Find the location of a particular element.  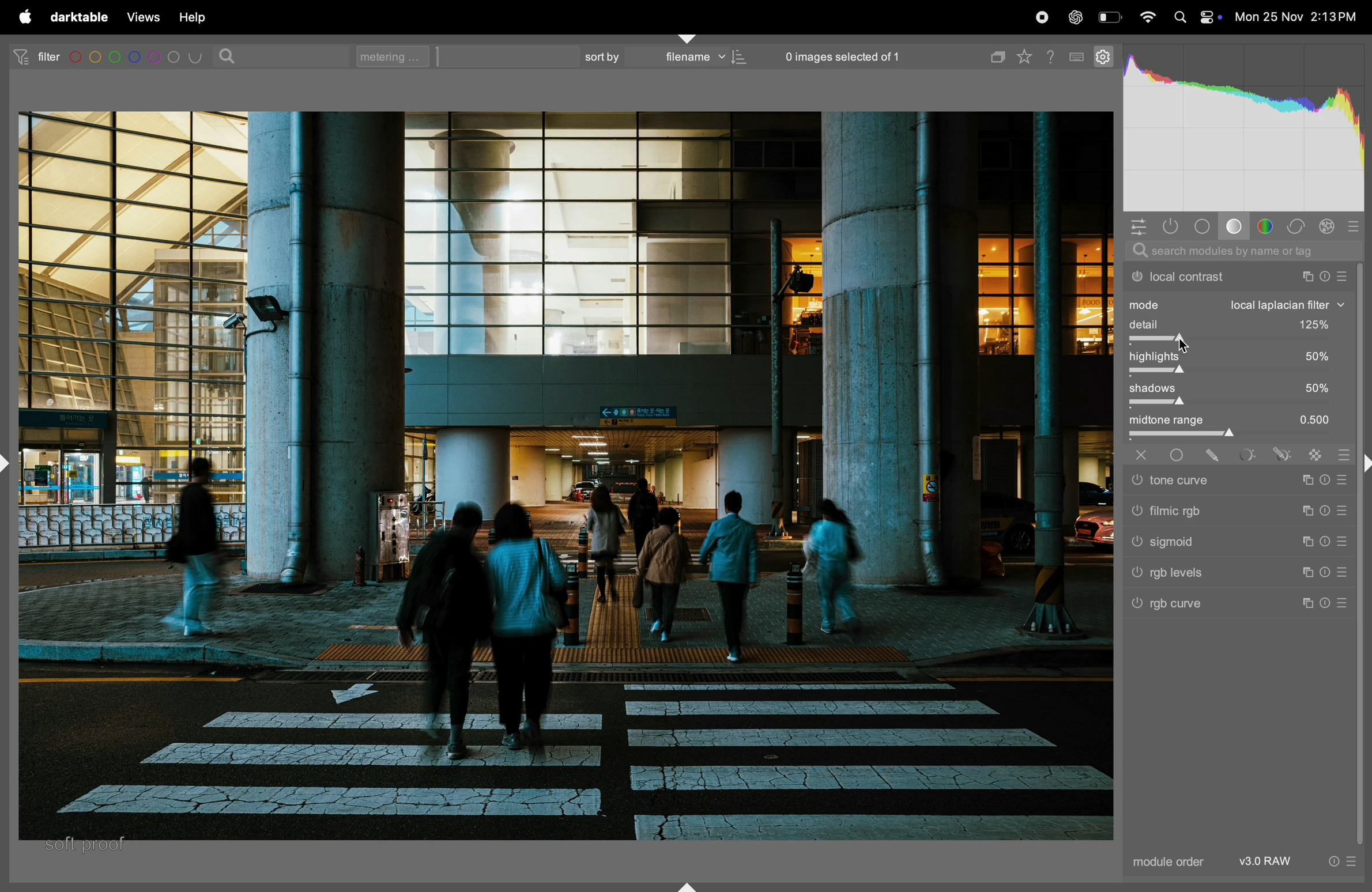

spotlight search is located at coordinates (1179, 19).